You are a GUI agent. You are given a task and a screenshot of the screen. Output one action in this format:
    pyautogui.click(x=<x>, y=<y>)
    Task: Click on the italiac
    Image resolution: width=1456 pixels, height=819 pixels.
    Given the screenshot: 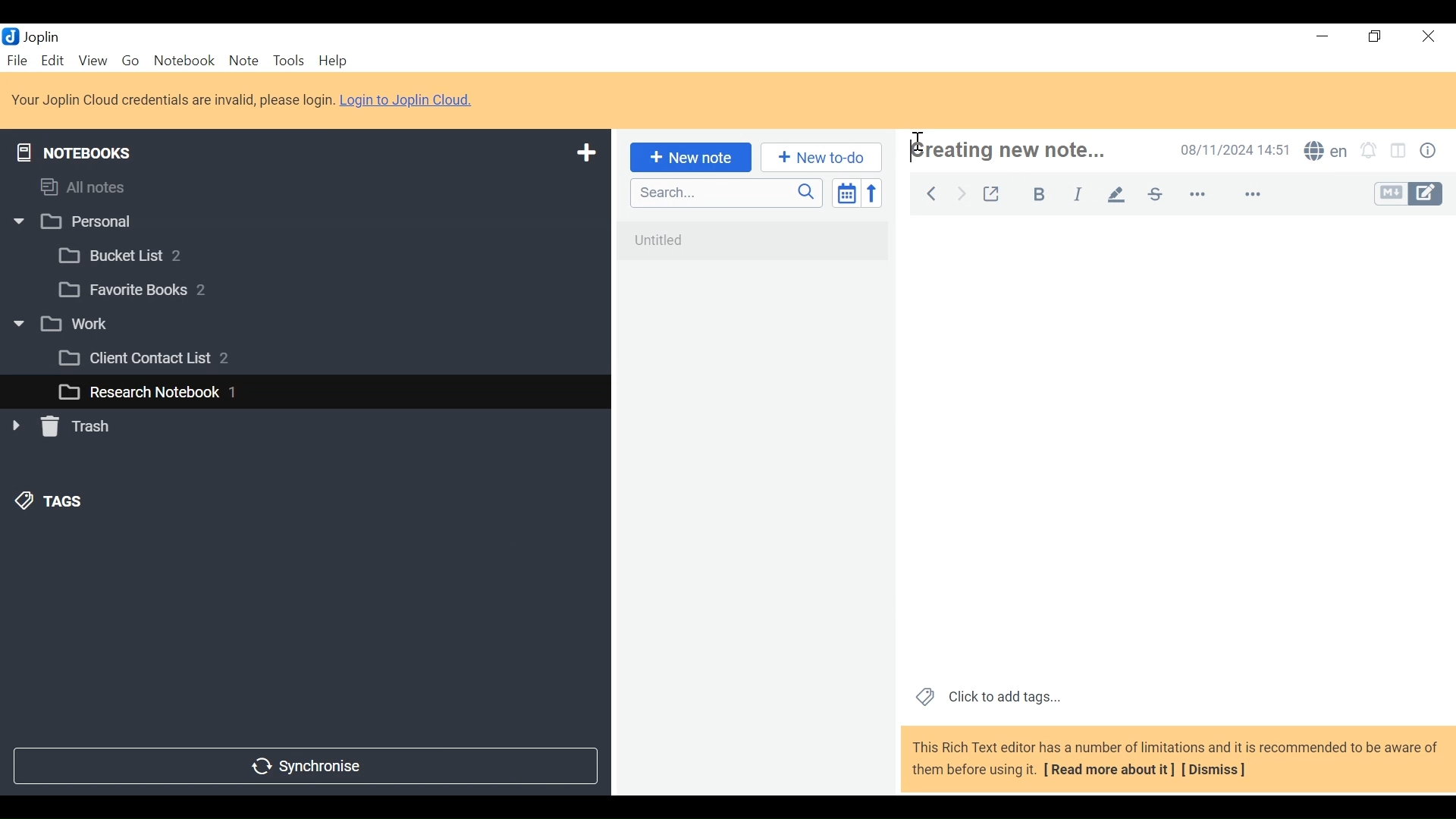 What is the action you would take?
    pyautogui.click(x=1079, y=193)
    